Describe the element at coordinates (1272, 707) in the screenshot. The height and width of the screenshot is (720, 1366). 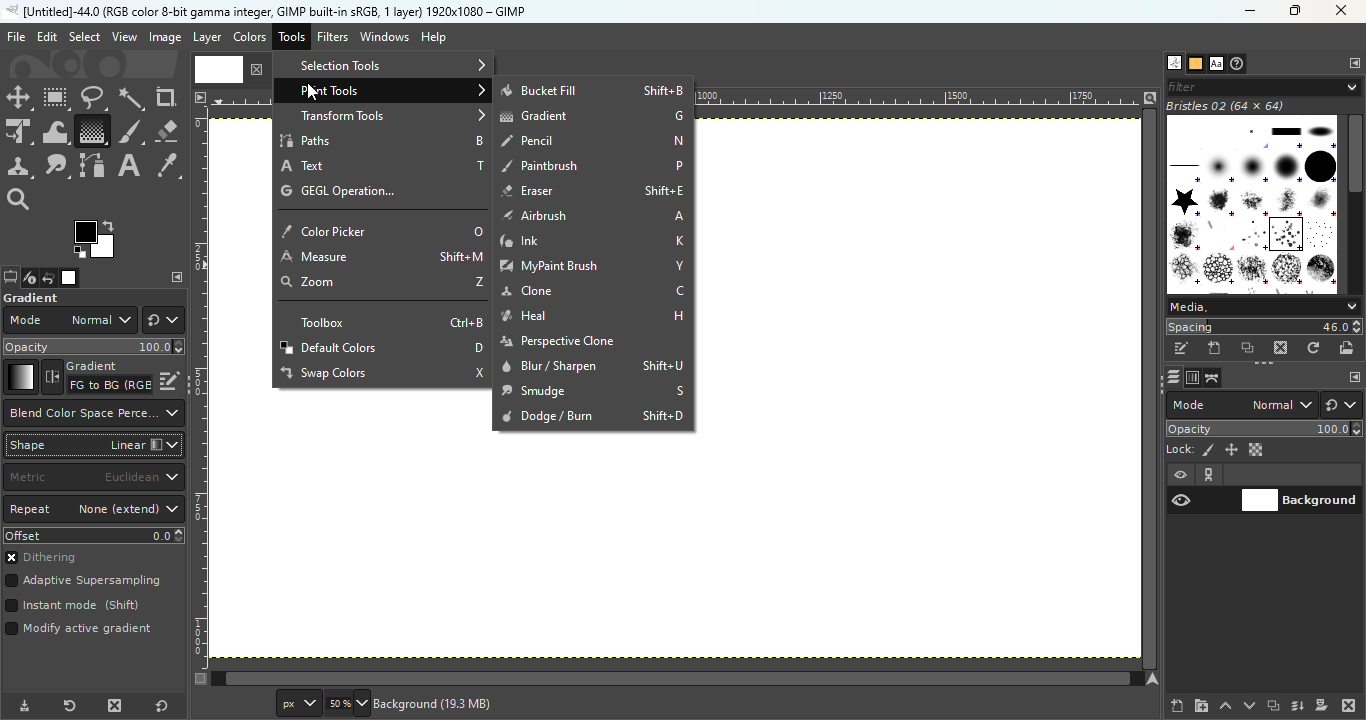
I see `Create a duplicate of the layer and add it to the image` at that location.